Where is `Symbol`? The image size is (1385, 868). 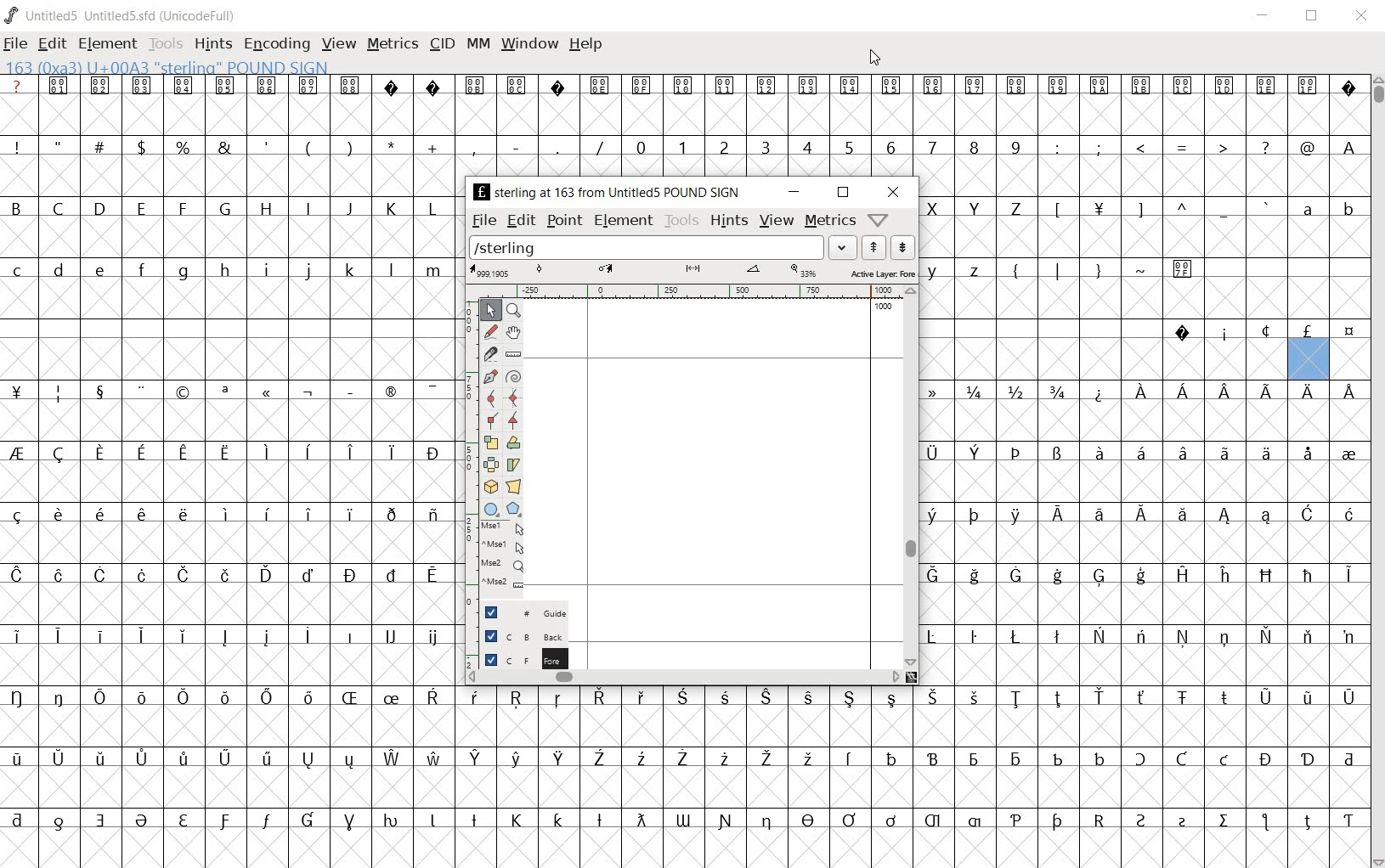 Symbol is located at coordinates (1143, 391).